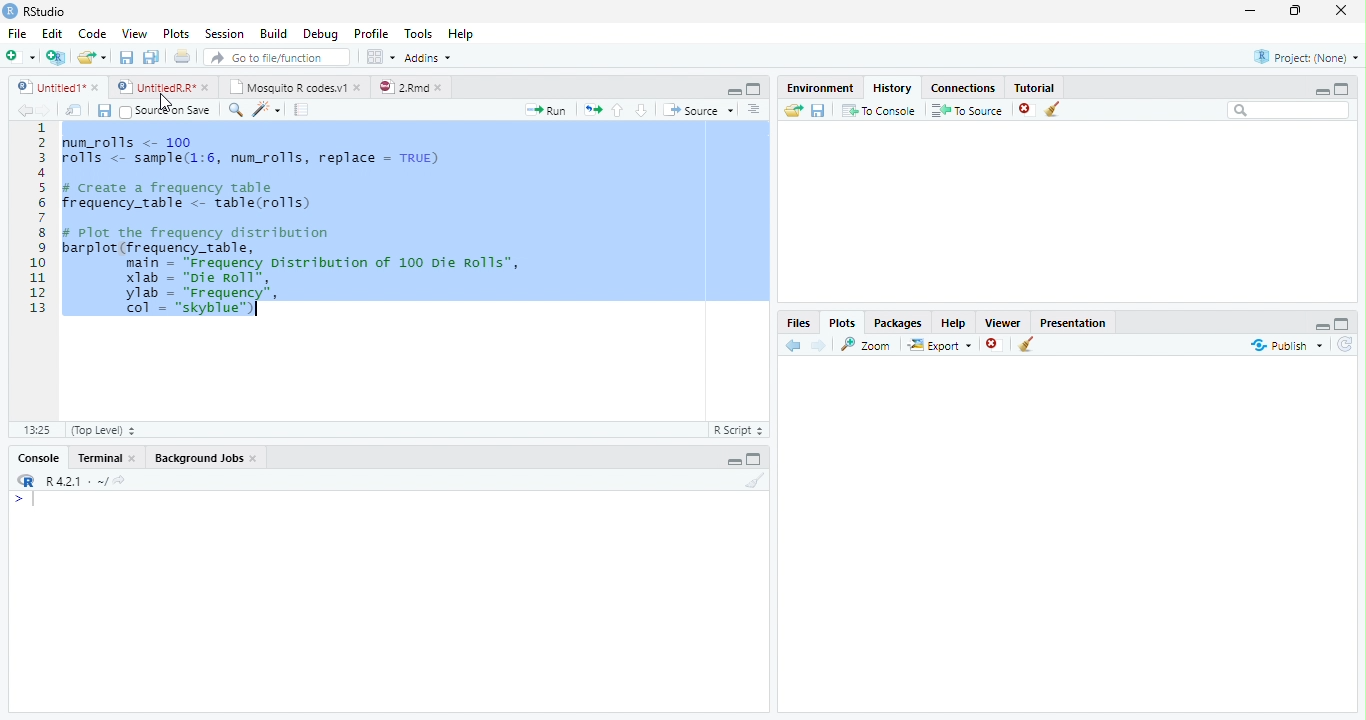  I want to click on RStudio, so click(35, 11).